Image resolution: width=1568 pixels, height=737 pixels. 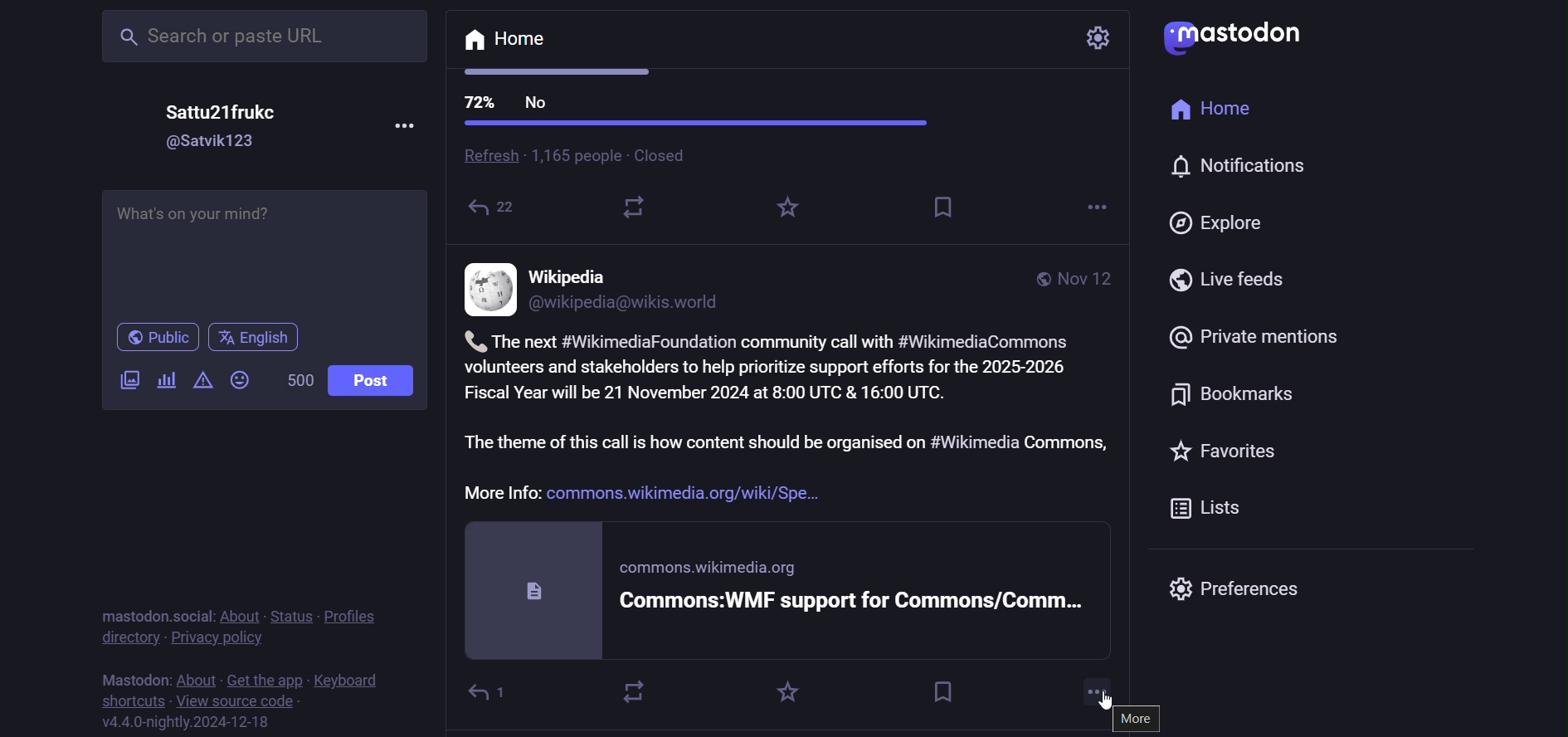 What do you see at coordinates (534, 589) in the screenshot?
I see `document logo` at bounding box center [534, 589].